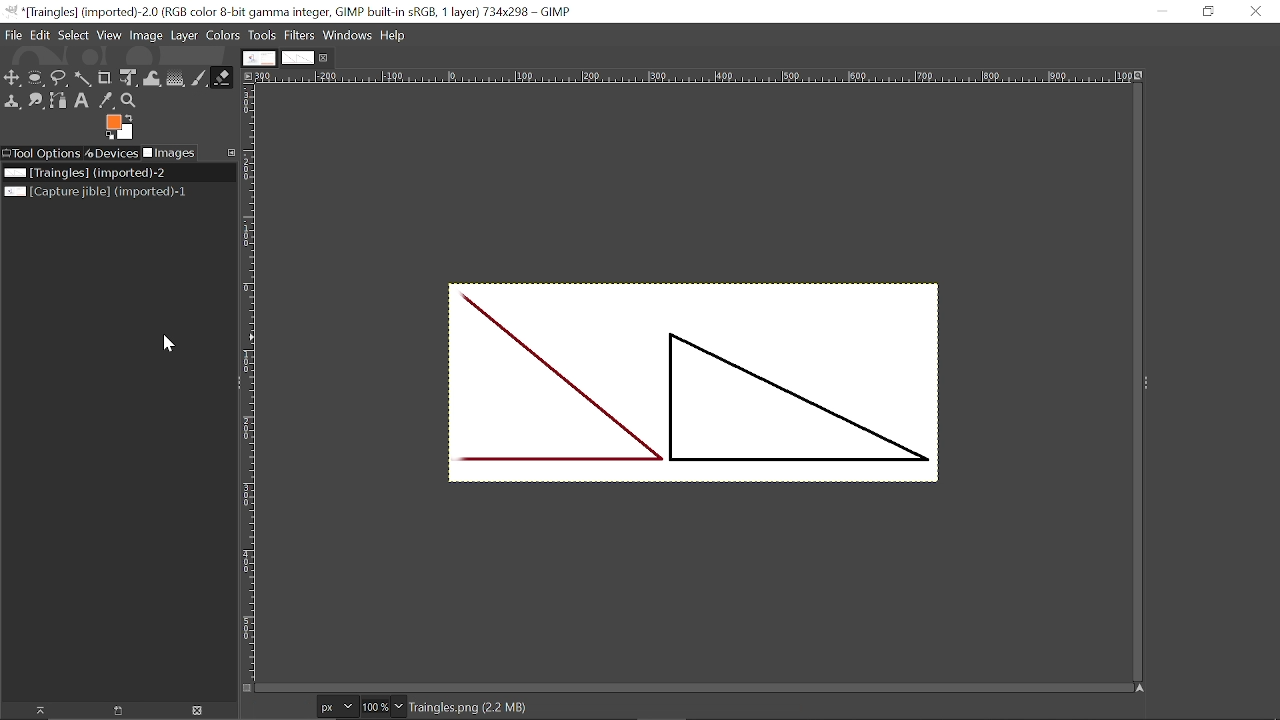 The width and height of the screenshot is (1280, 720). Describe the element at coordinates (394, 35) in the screenshot. I see `Help` at that location.